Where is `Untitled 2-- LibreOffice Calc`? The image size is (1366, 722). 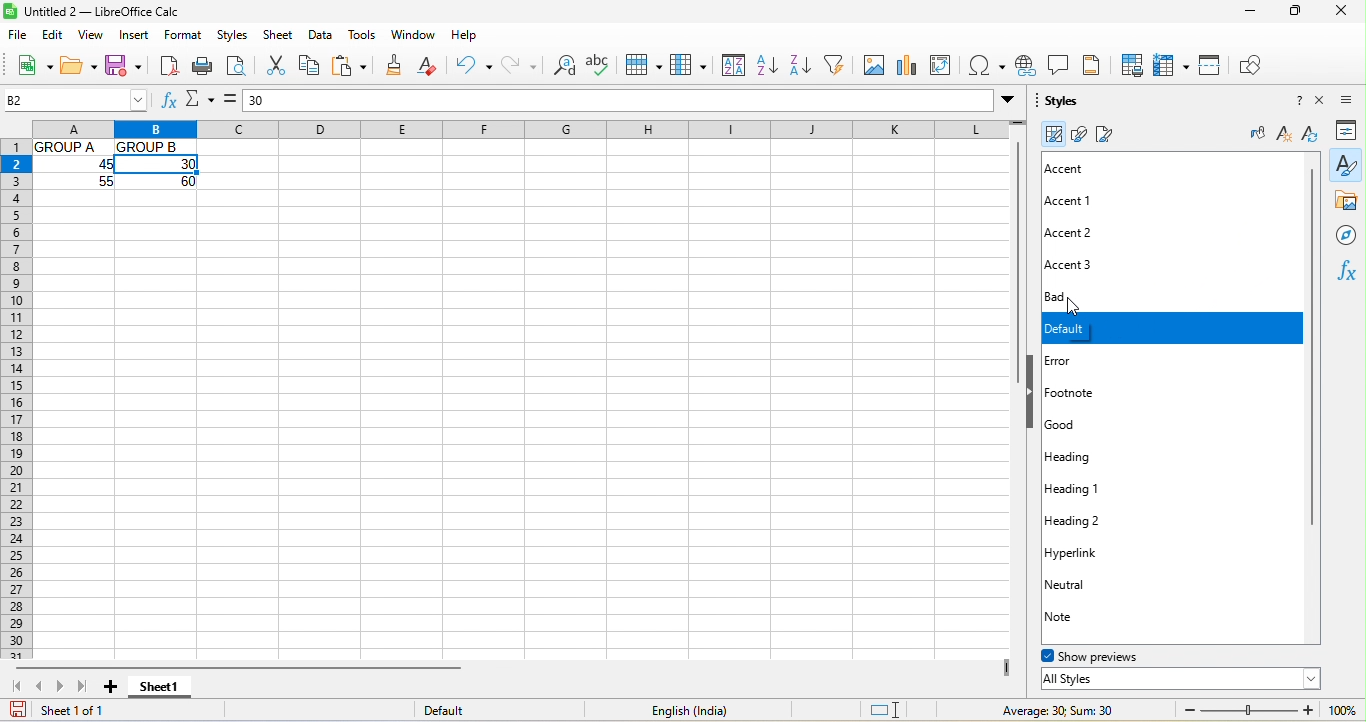 Untitled 2-- LibreOffice Calc is located at coordinates (126, 12).